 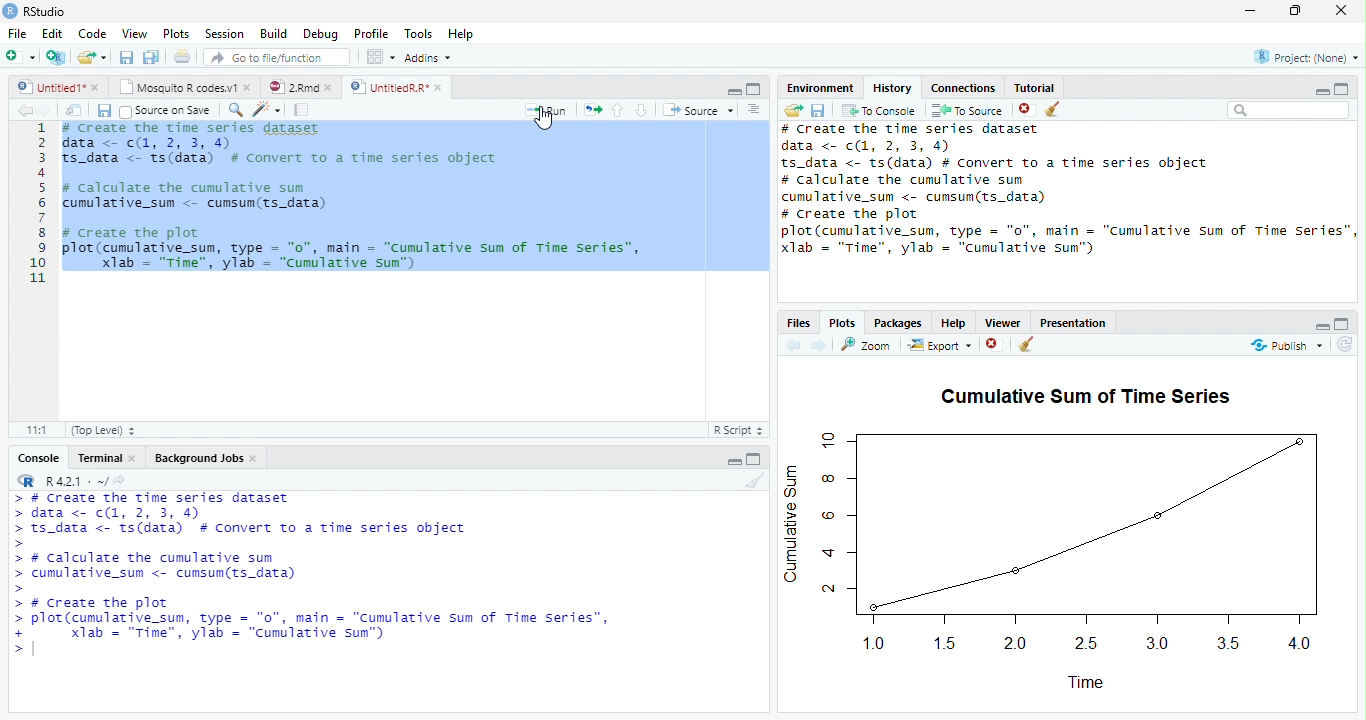 I want to click on # Create the time series dataset data <- (1, 2, 3, 4)S_data <- ts(data) # convert to a time series objectcalculate the cumulative sumumulative_sum <- cumsum(ts_data)create the plotlot (cumulative_sum, type = "0", main = "Cumulative sum of Time Series”,Xlab = "Time", ylab = "cumulative sun"), so click(x=415, y=199).